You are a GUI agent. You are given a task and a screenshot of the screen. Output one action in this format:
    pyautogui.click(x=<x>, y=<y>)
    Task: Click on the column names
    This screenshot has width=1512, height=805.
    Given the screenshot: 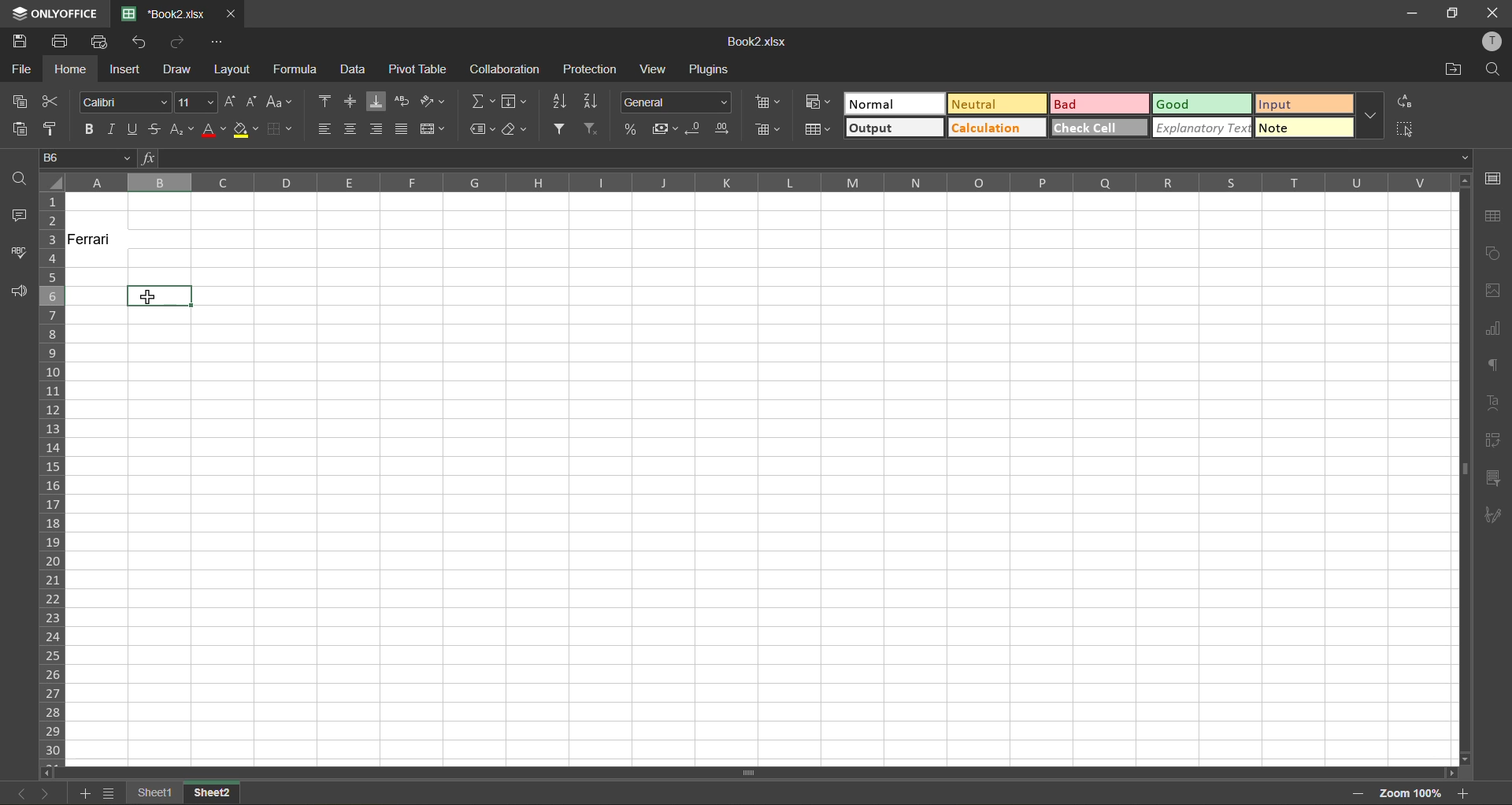 What is the action you would take?
    pyautogui.click(x=758, y=183)
    